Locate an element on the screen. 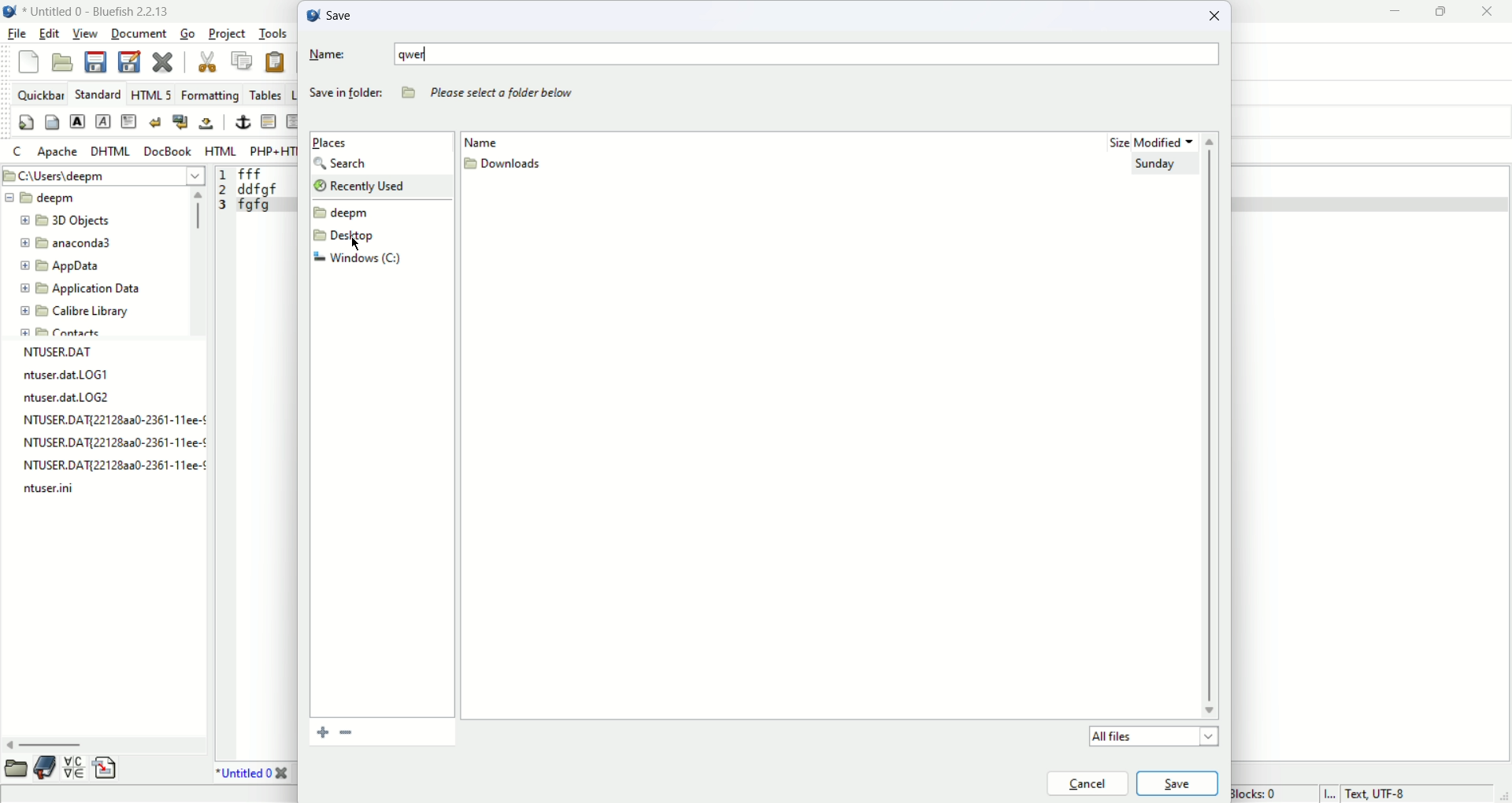 This screenshot has width=1512, height=803. center is located at coordinates (294, 122).